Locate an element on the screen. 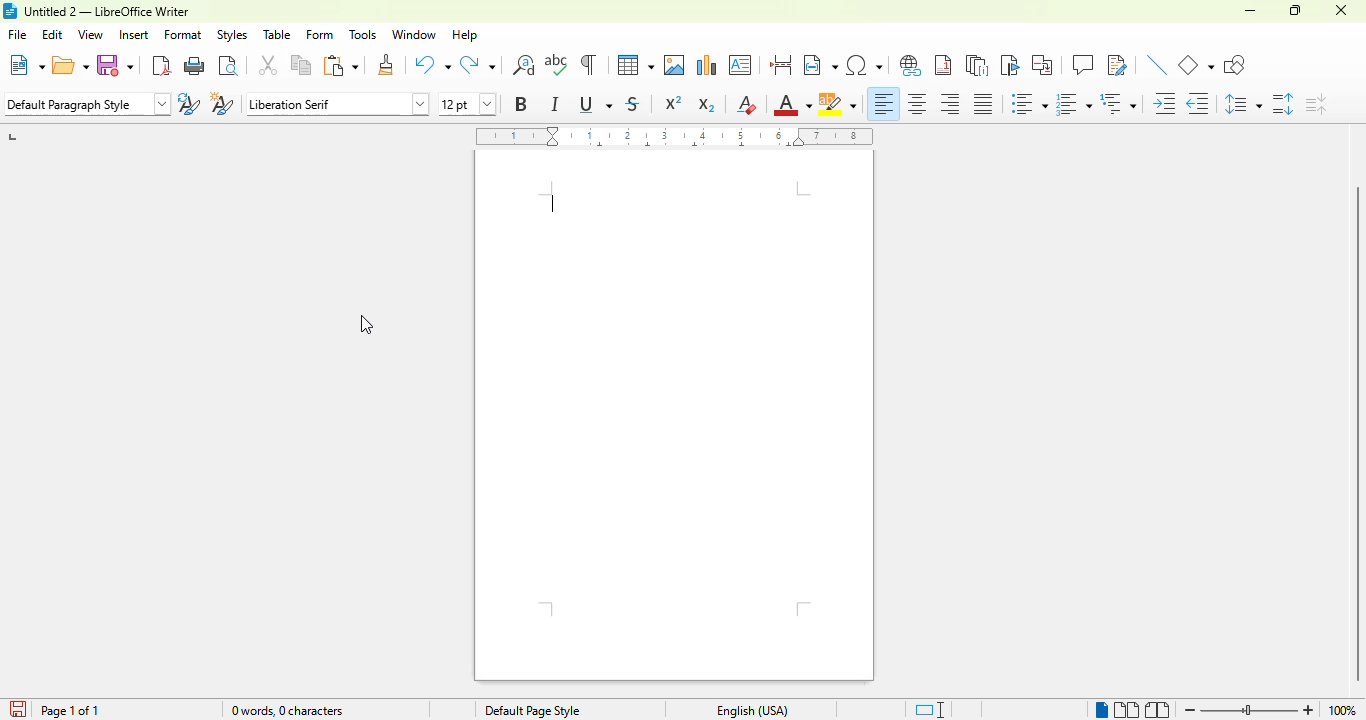 This screenshot has height=720, width=1366. basic shapes is located at coordinates (1197, 66).